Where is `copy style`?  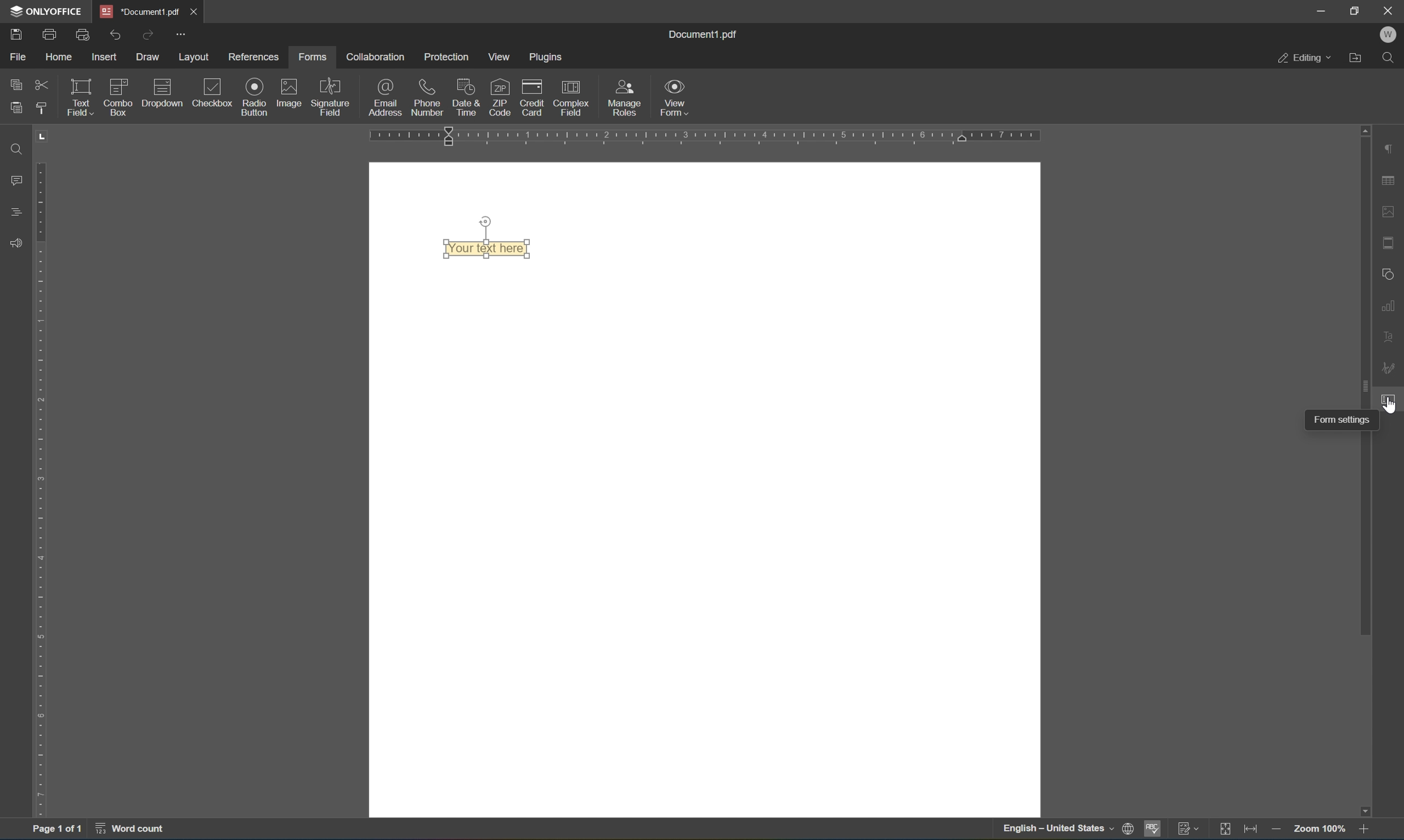 copy style is located at coordinates (41, 108).